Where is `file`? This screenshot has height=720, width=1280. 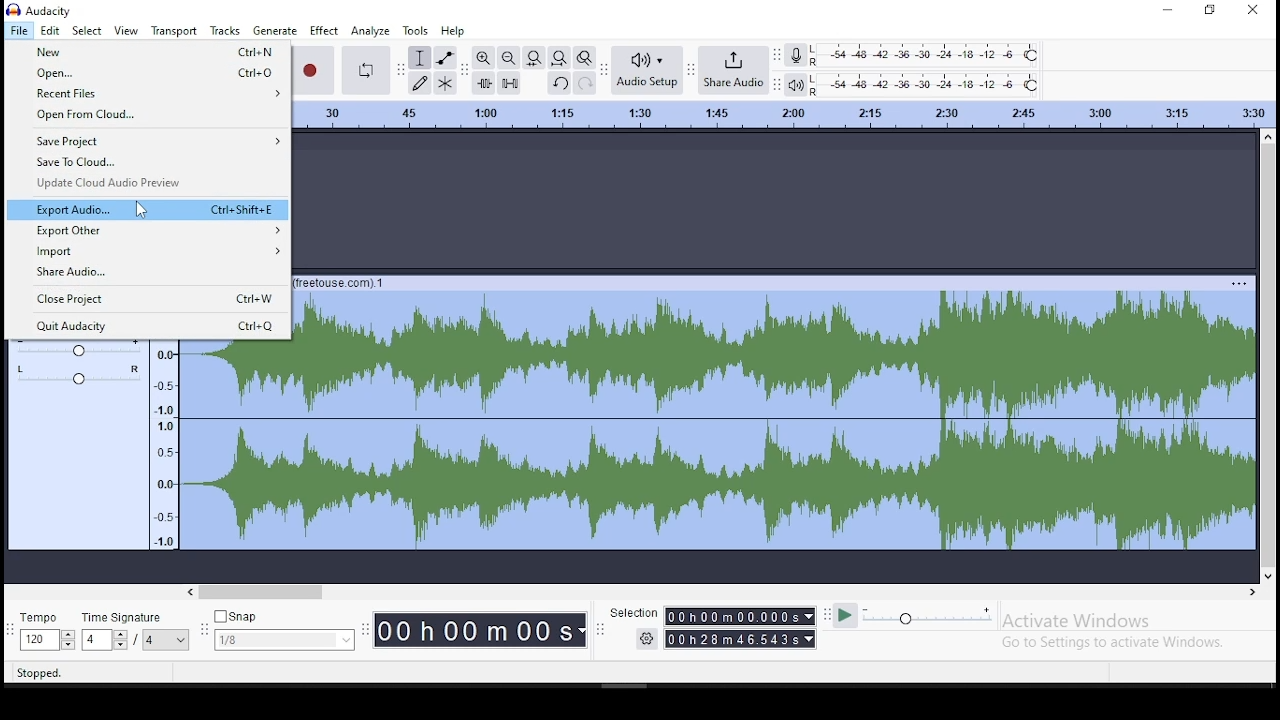
file is located at coordinates (18, 30).